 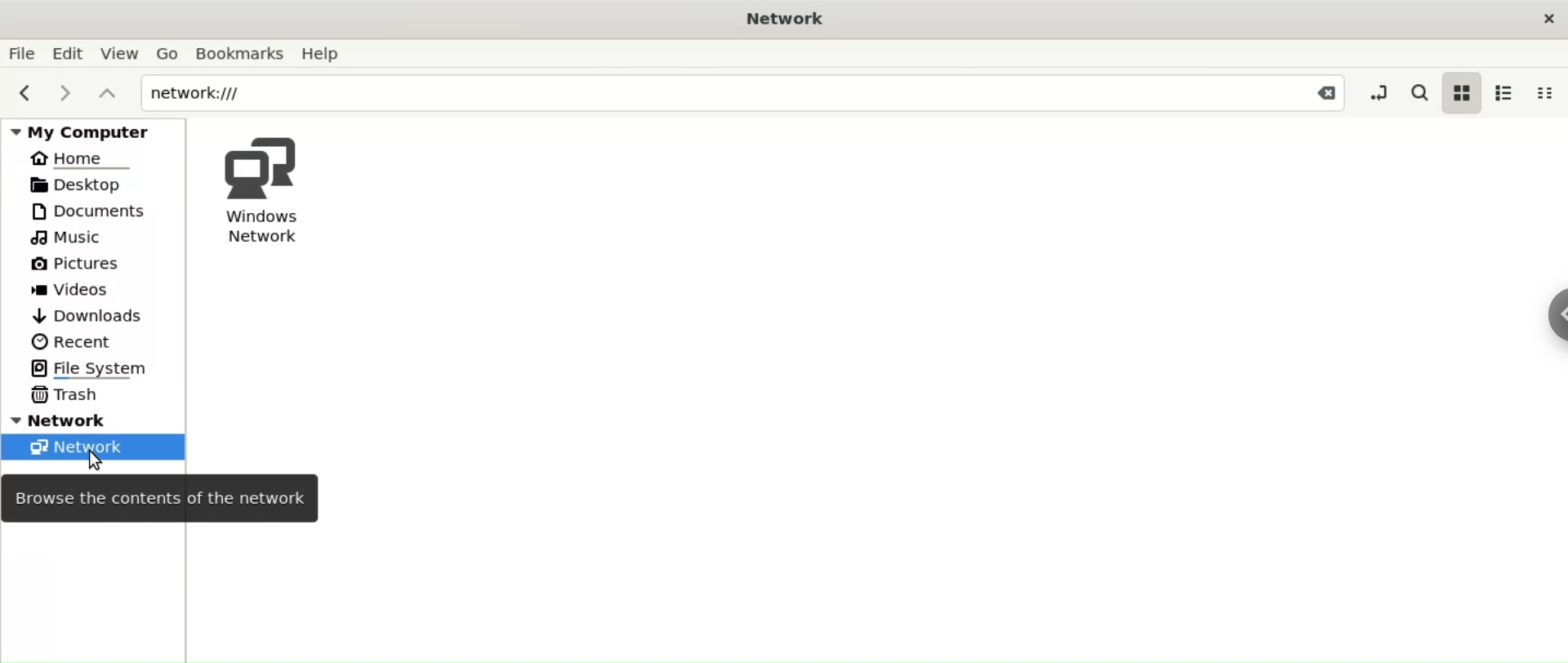 What do you see at coordinates (119, 52) in the screenshot?
I see `View` at bounding box center [119, 52].